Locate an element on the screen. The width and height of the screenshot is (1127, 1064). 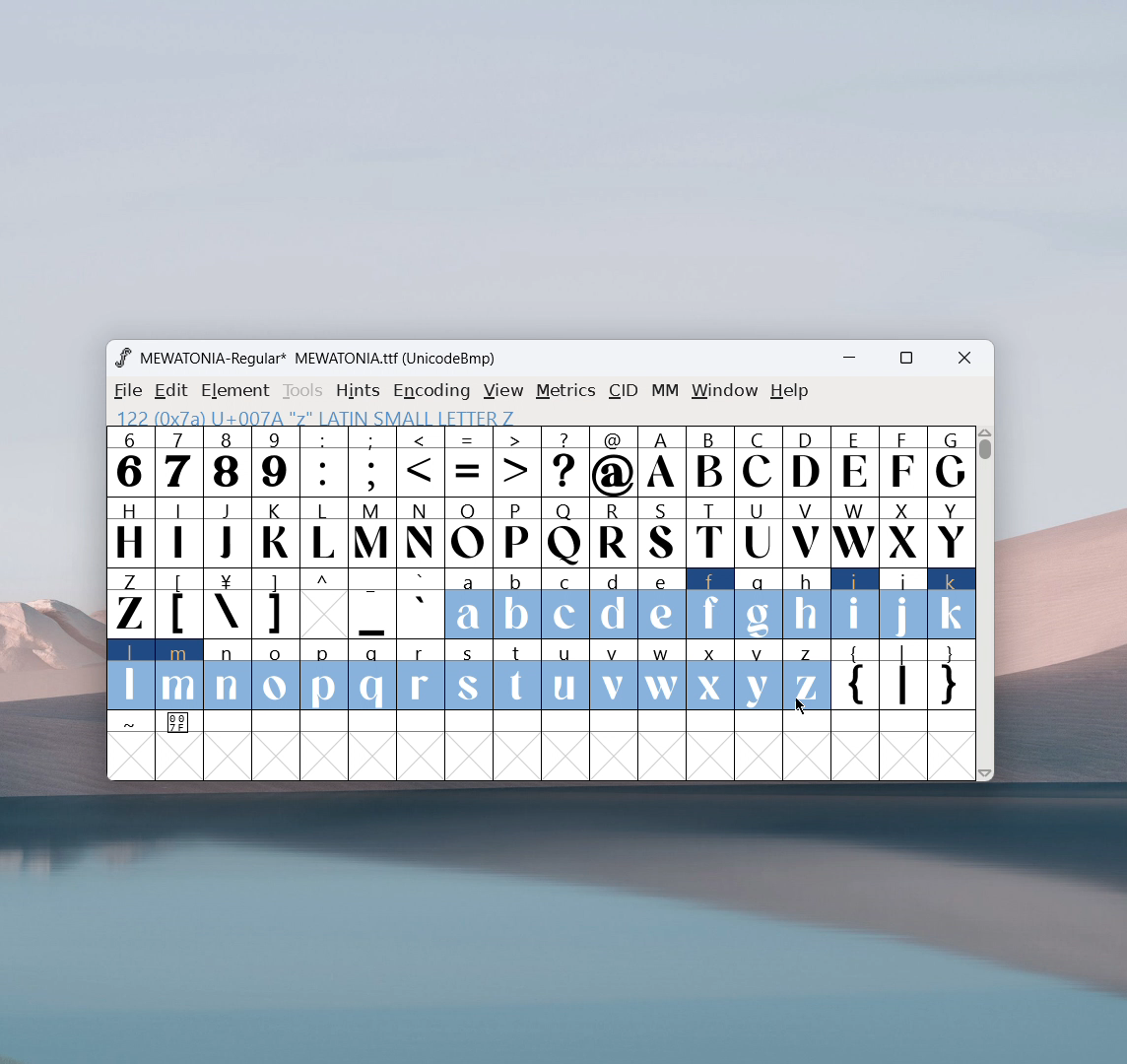
Vertical is located at coordinates (986, 601).